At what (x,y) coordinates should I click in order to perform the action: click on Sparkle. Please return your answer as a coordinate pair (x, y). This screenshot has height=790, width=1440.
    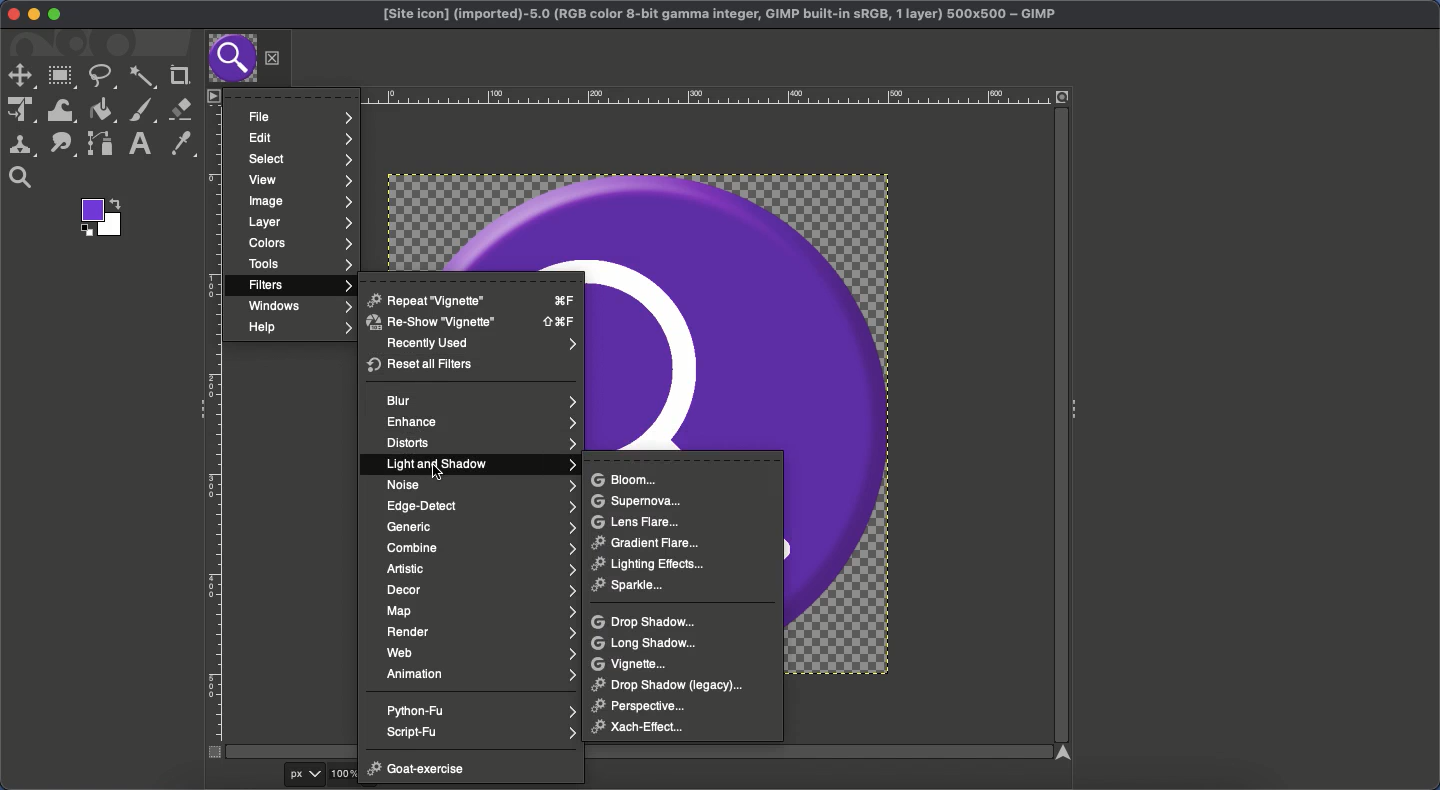
    Looking at the image, I should click on (633, 587).